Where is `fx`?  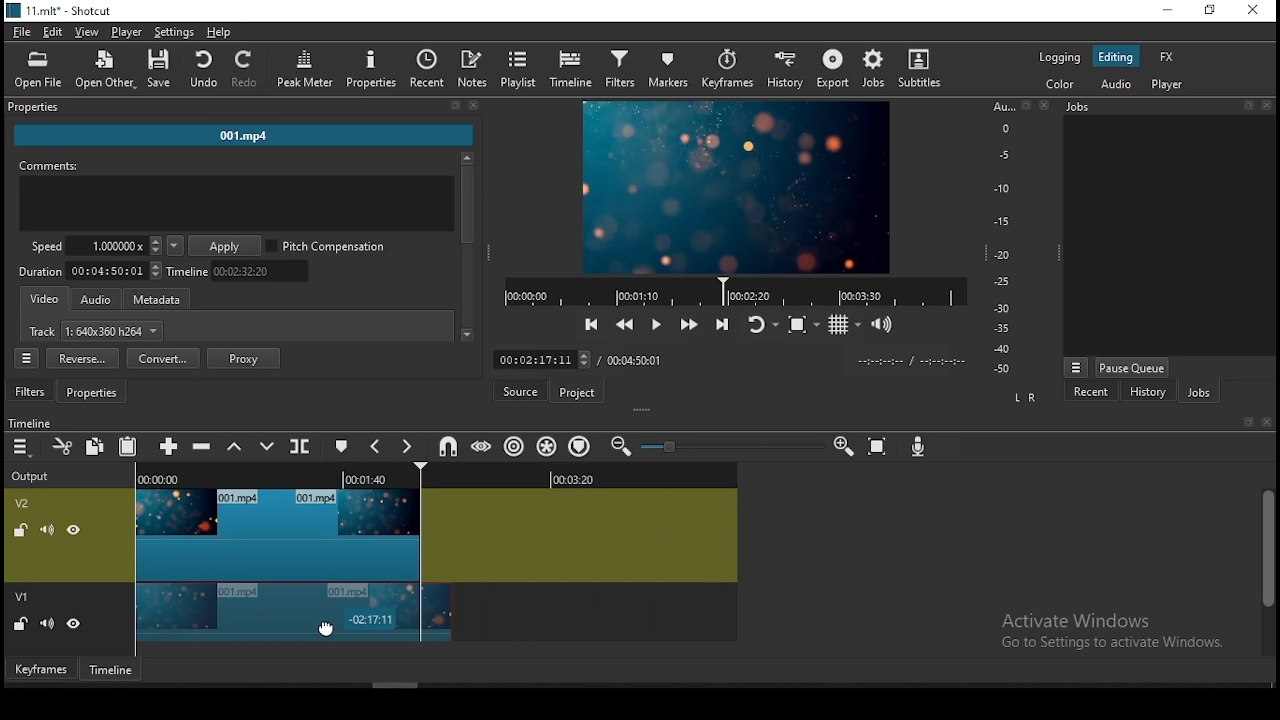 fx is located at coordinates (1170, 58).